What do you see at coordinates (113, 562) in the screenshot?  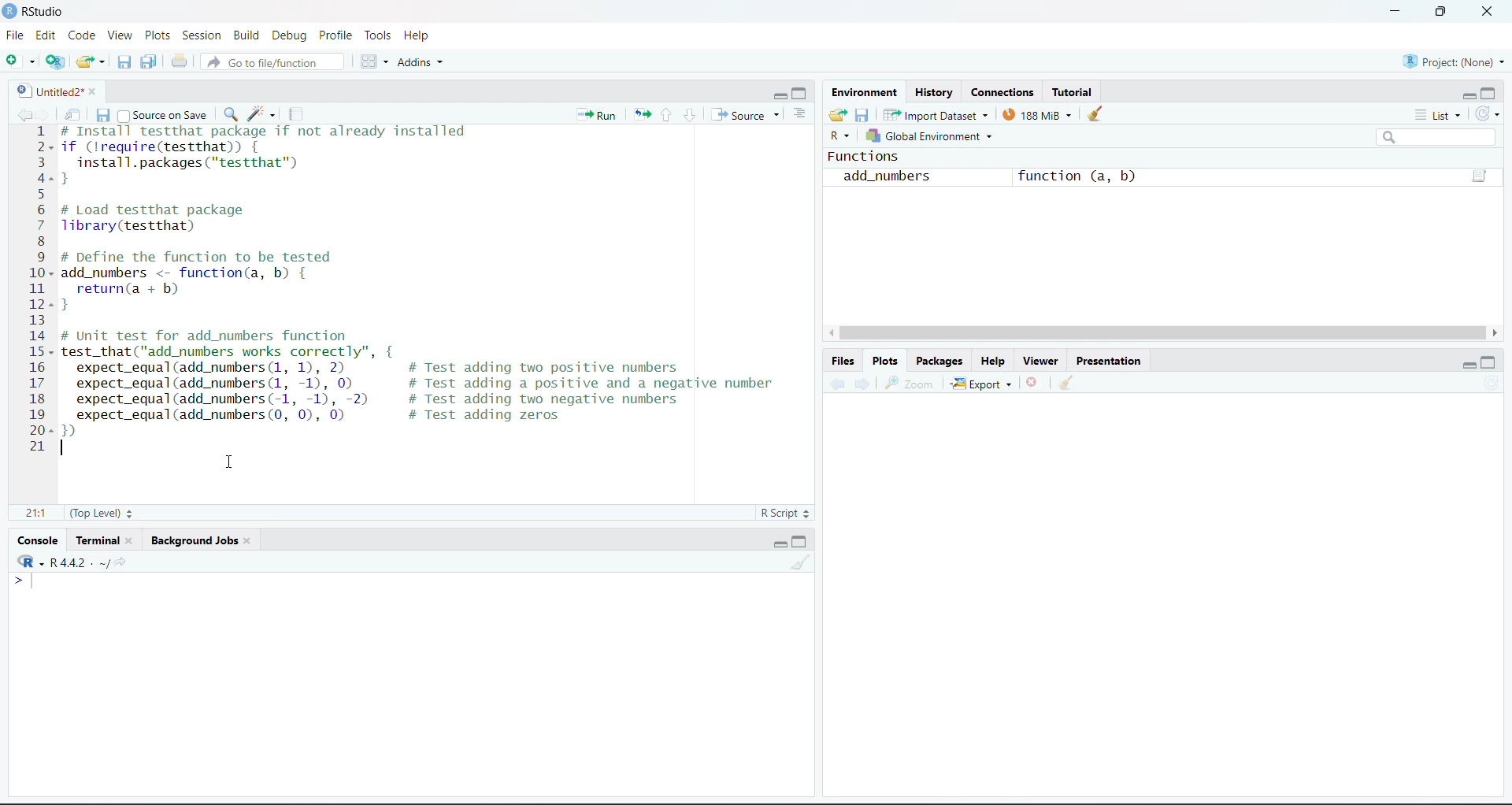 I see `view the current working  directory` at bounding box center [113, 562].